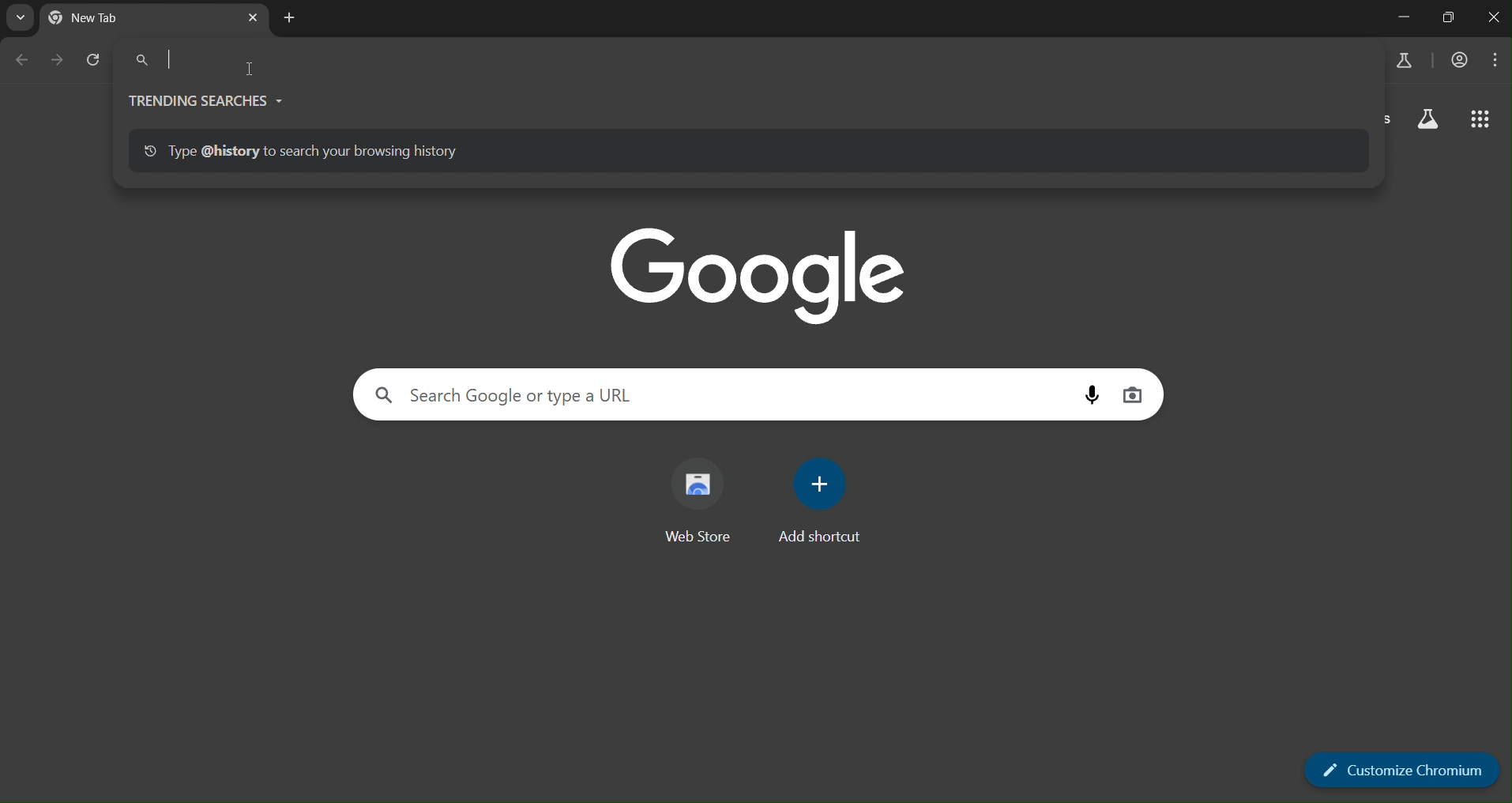  Describe the element at coordinates (125, 19) in the screenshot. I see `new tab` at that location.